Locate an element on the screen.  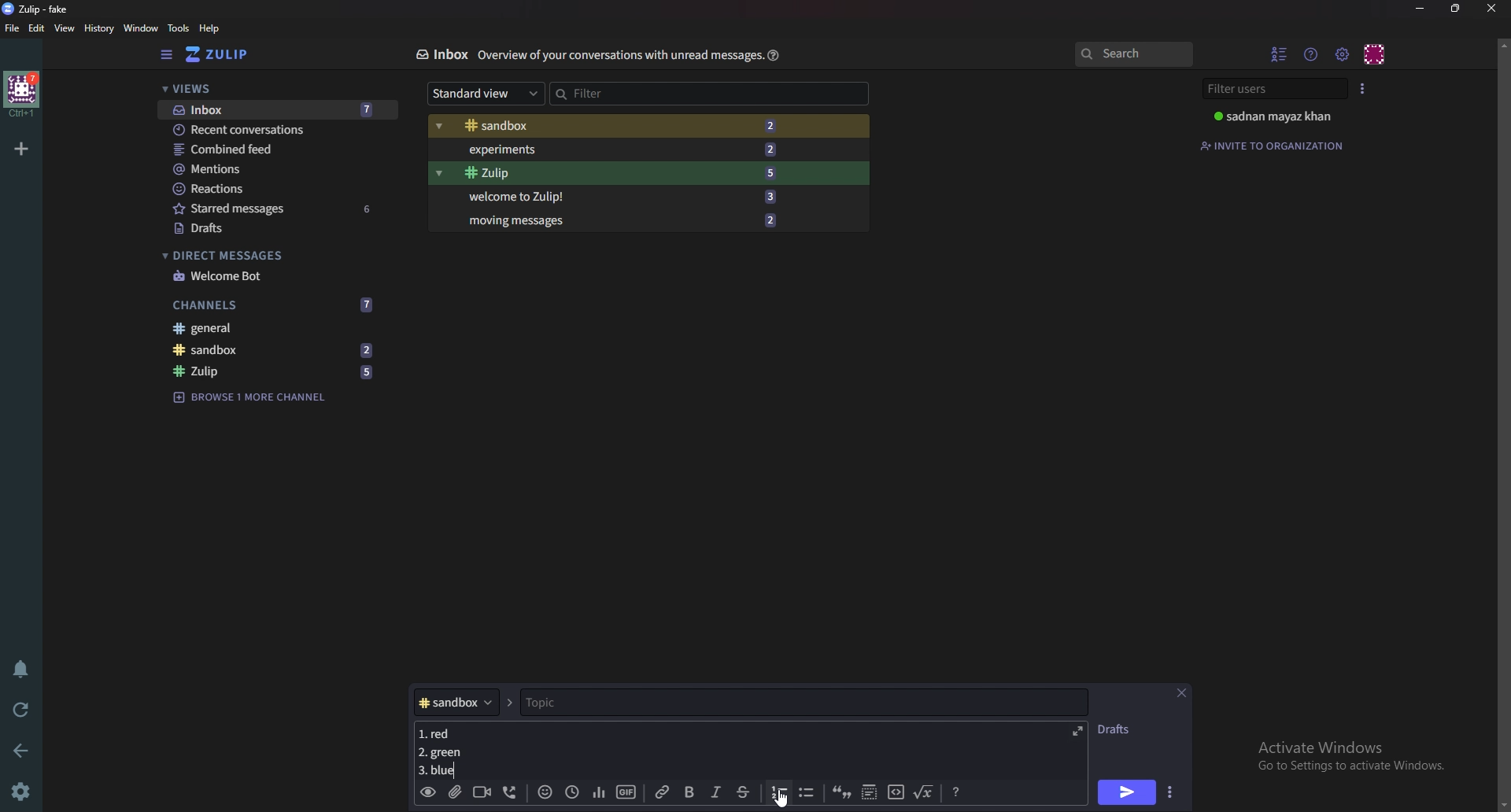
Invite to organization is located at coordinates (1275, 144).